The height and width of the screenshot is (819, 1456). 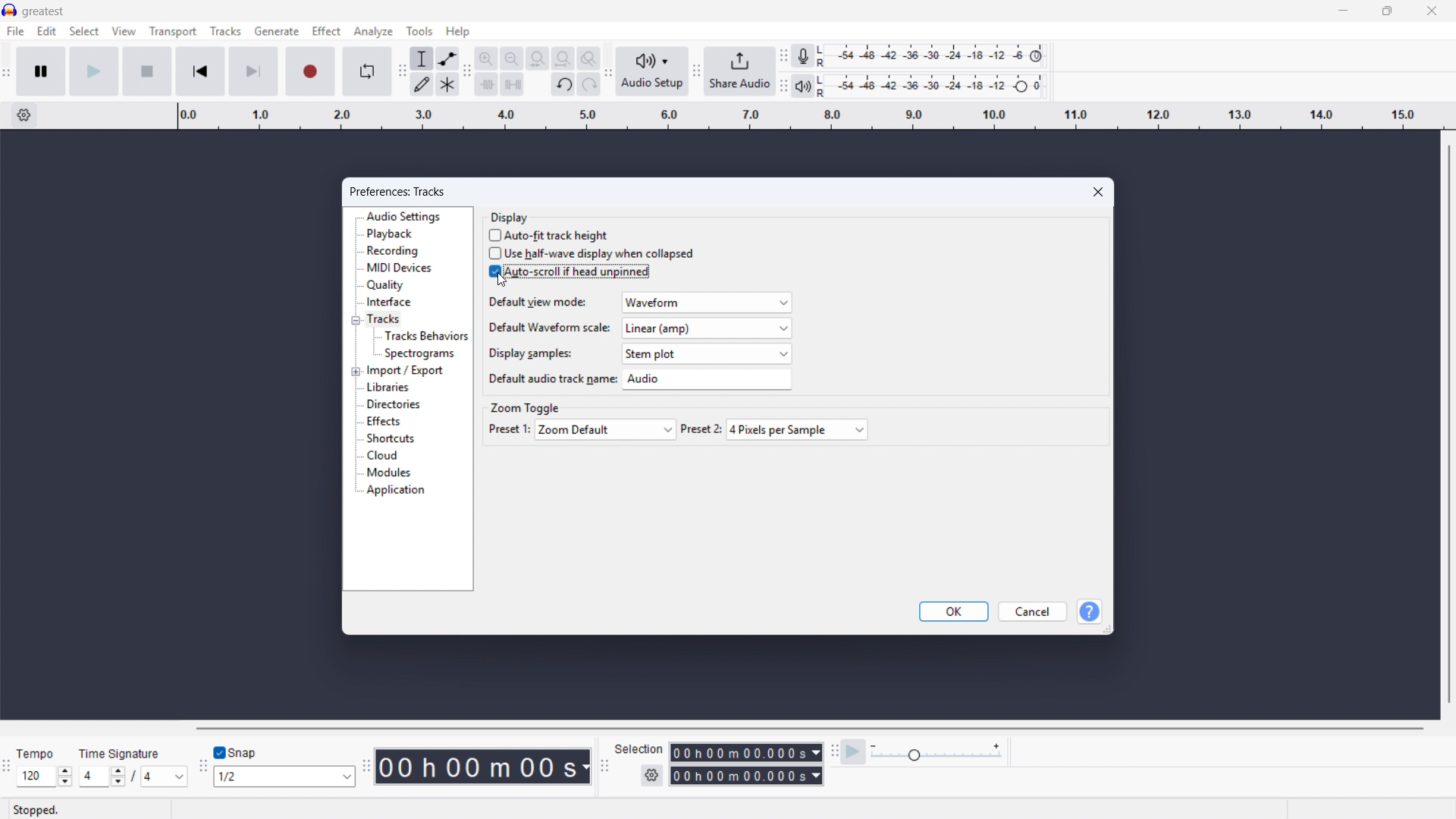 What do you see at coordinates (527, 353) in the screenshot?
I see `Display samples` at bounding box center [527, 353].